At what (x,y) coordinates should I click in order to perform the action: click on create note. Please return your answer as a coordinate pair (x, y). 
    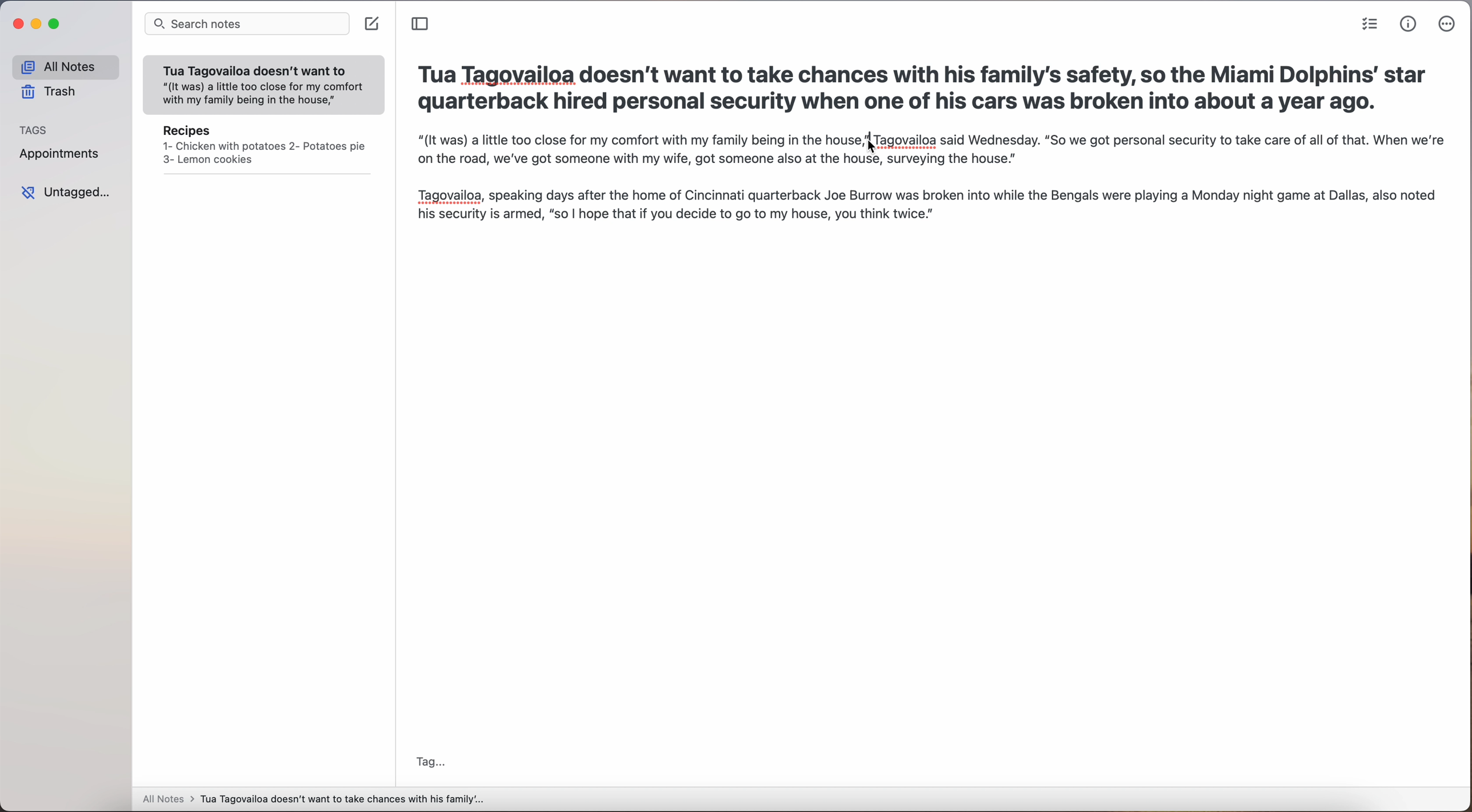
    Looking at the image, I should click on (373, 25).